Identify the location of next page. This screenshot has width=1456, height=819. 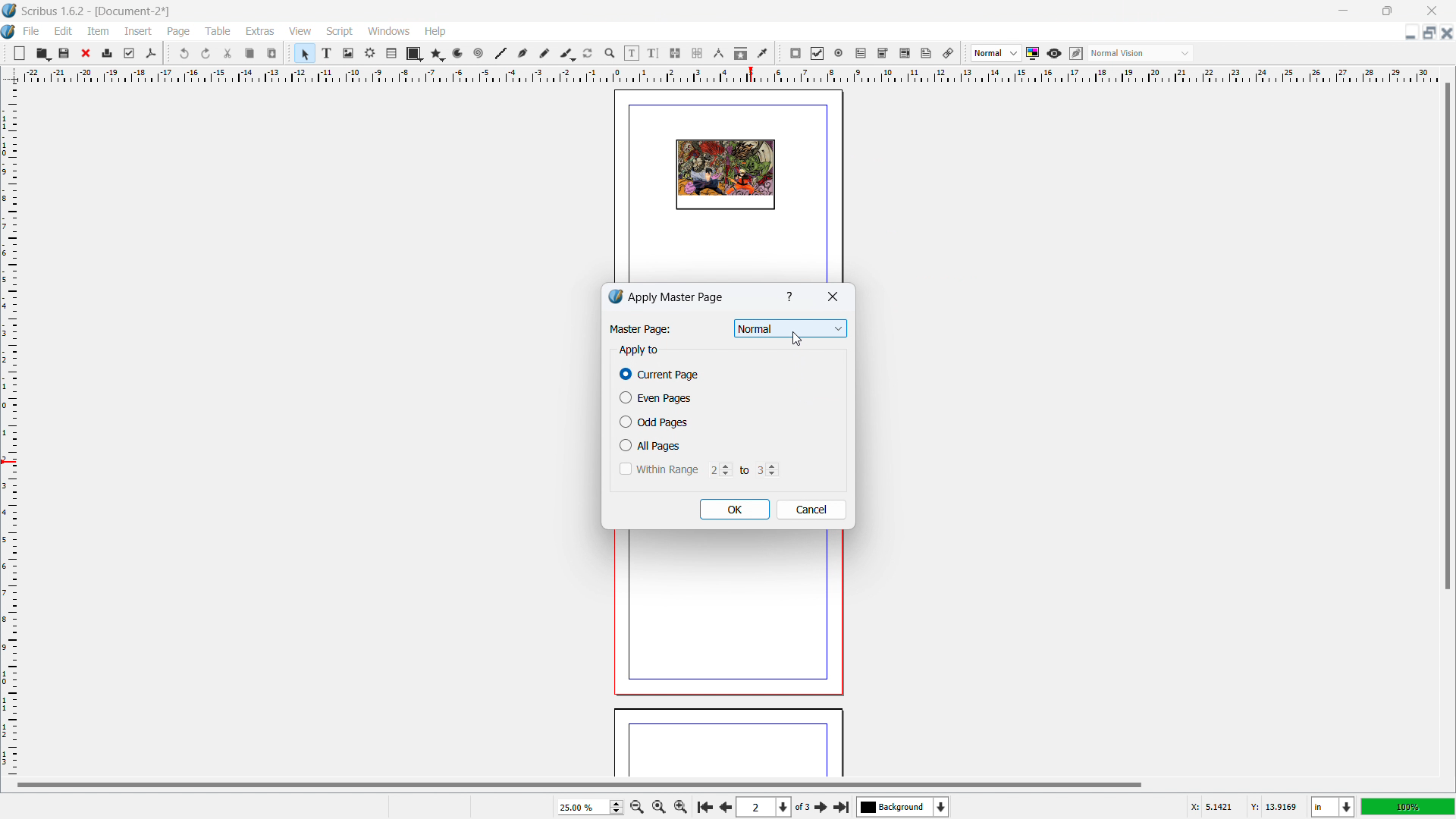
(723, 805).